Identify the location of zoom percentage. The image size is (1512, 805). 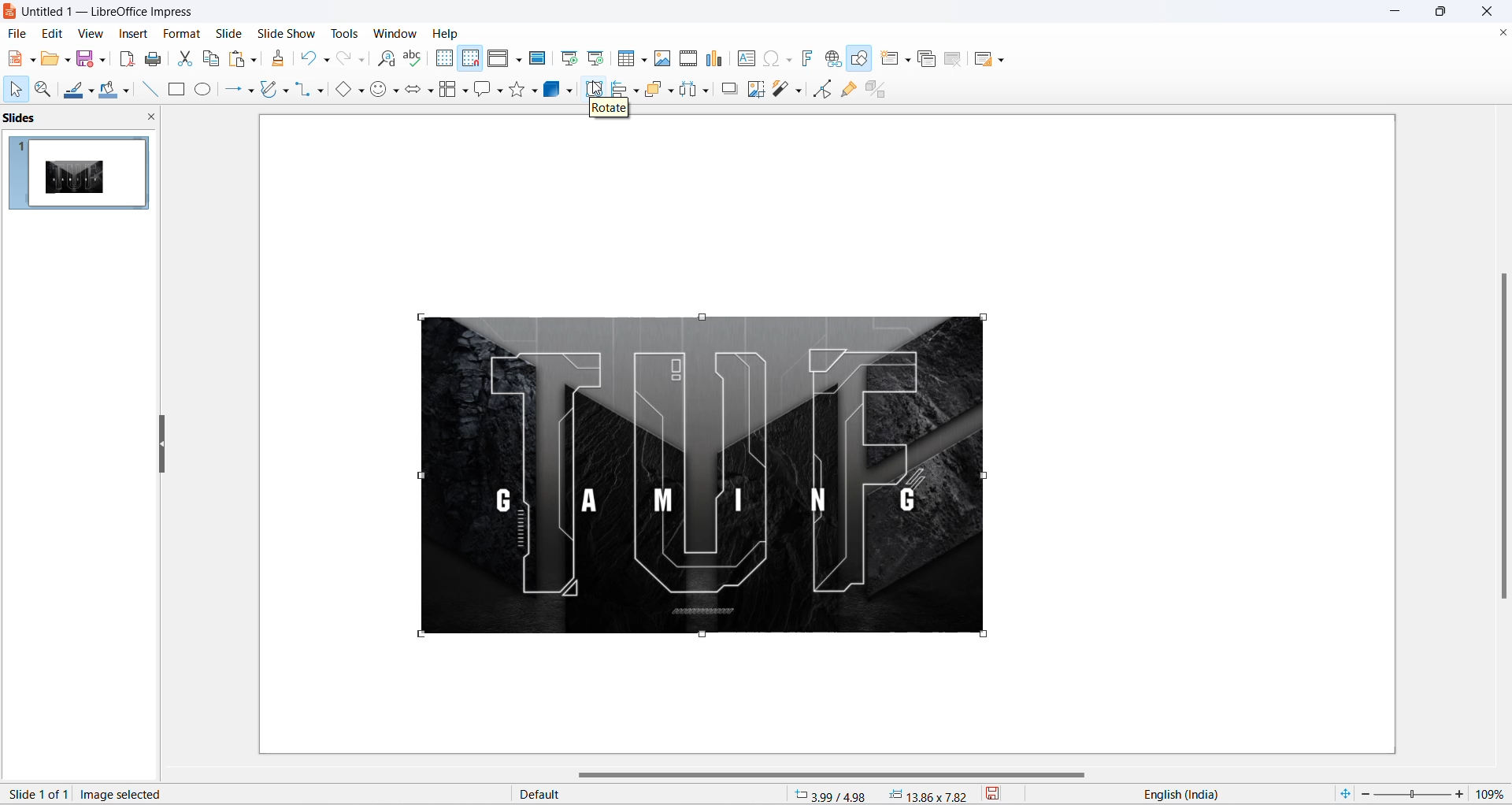
(1493, 792).